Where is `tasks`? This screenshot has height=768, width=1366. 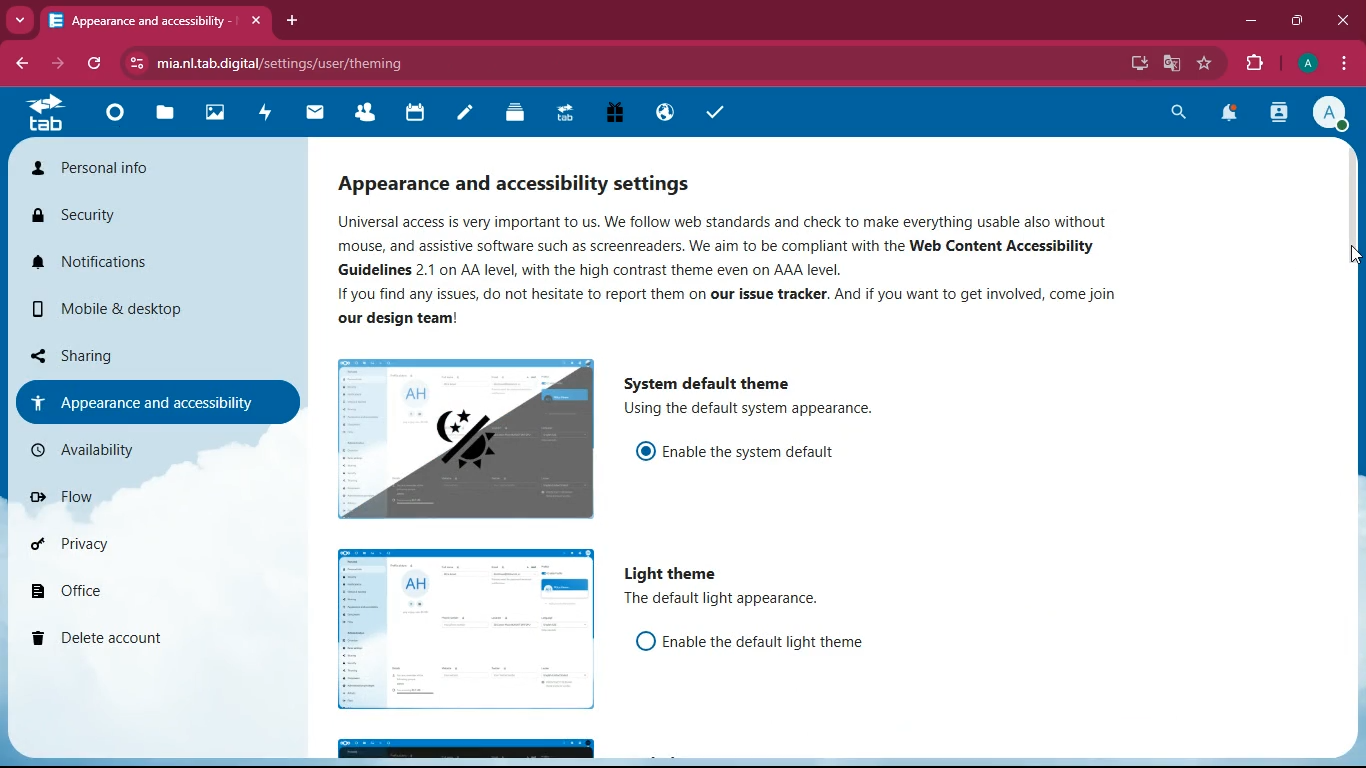
tasks is located at coordinates (723, 114).